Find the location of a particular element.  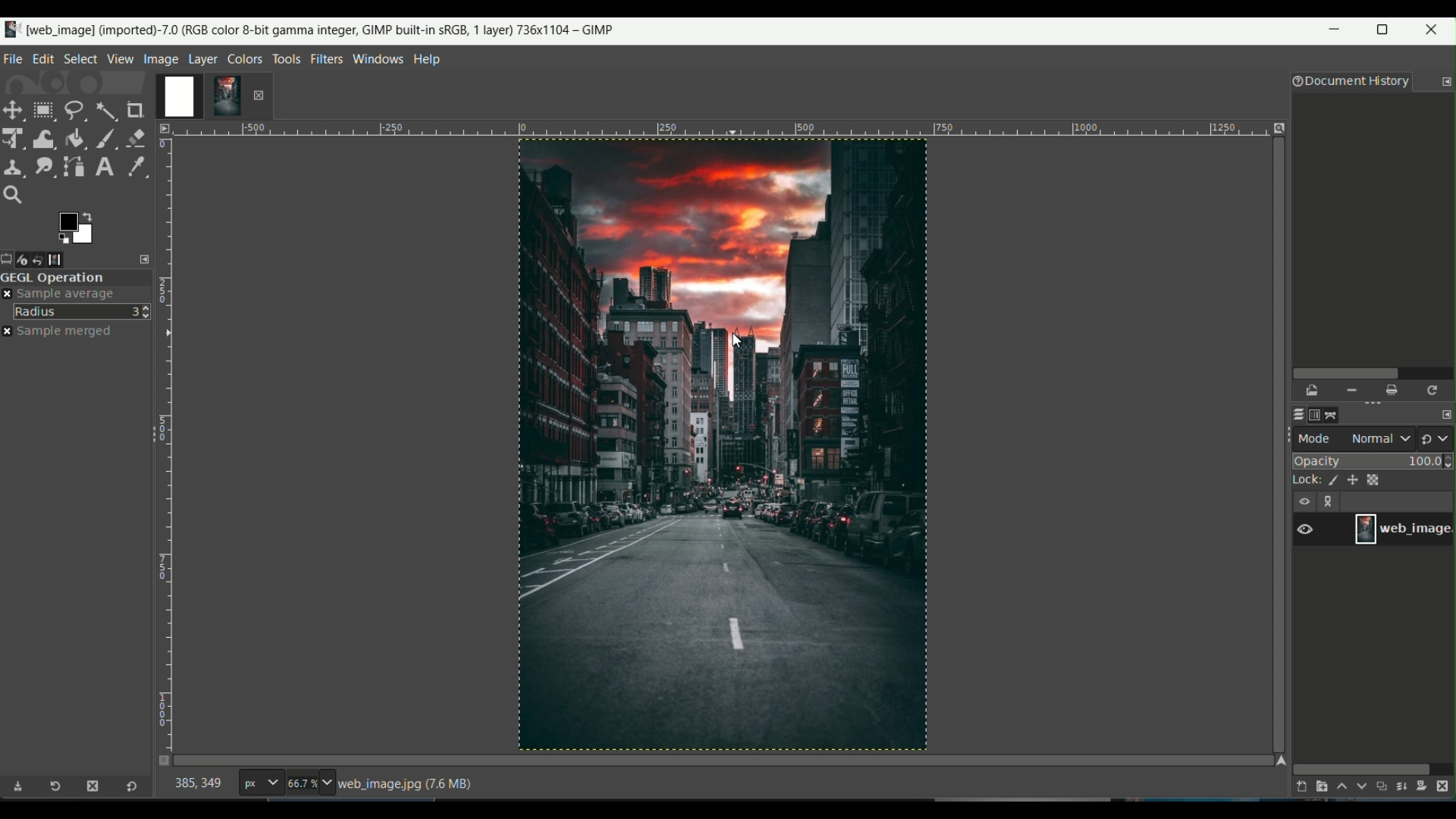

maximize or restore is located at coordinates (1387, 30).